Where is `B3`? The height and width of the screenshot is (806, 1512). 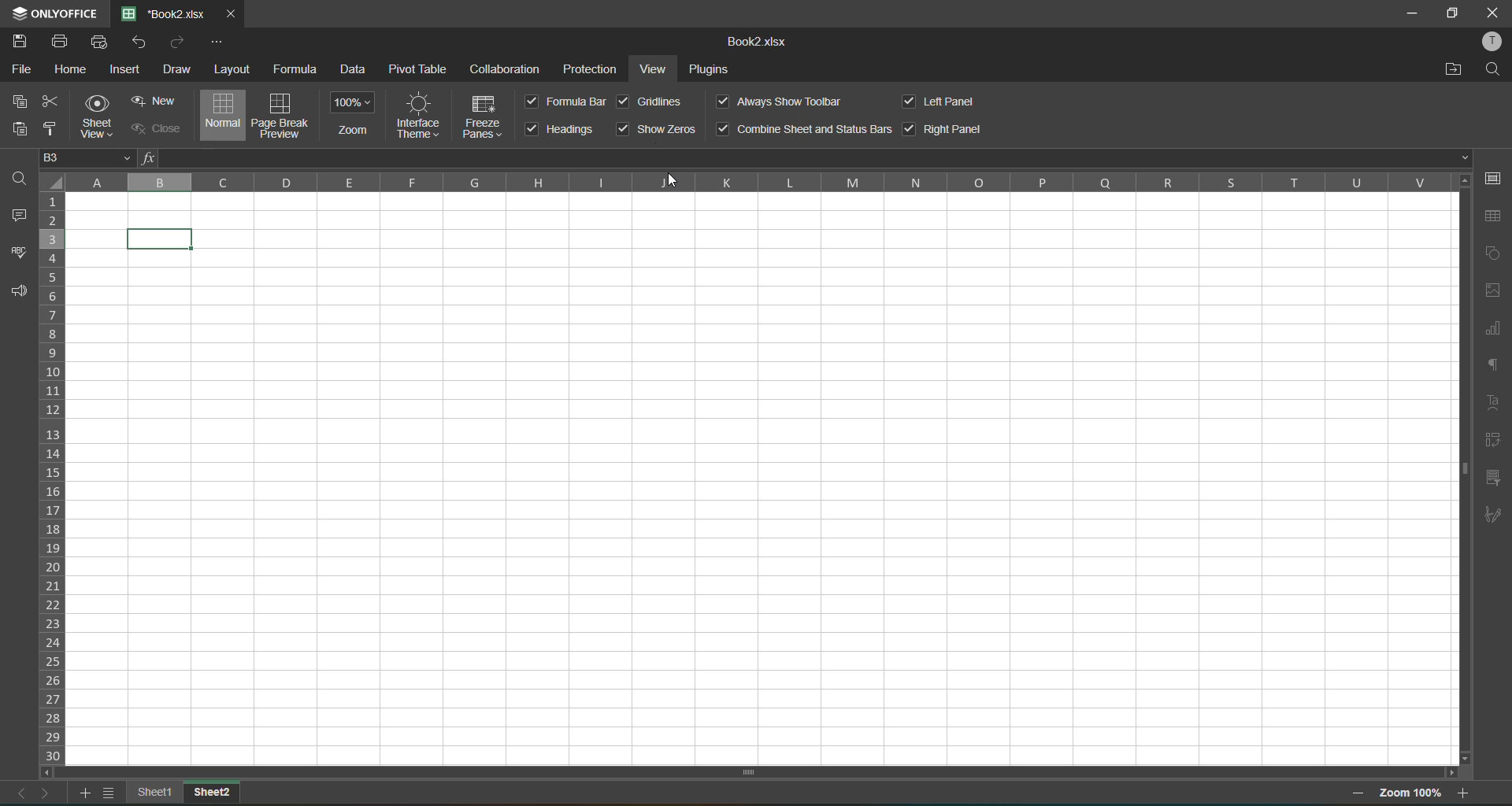 B3 is located at coordinates (89, 157).